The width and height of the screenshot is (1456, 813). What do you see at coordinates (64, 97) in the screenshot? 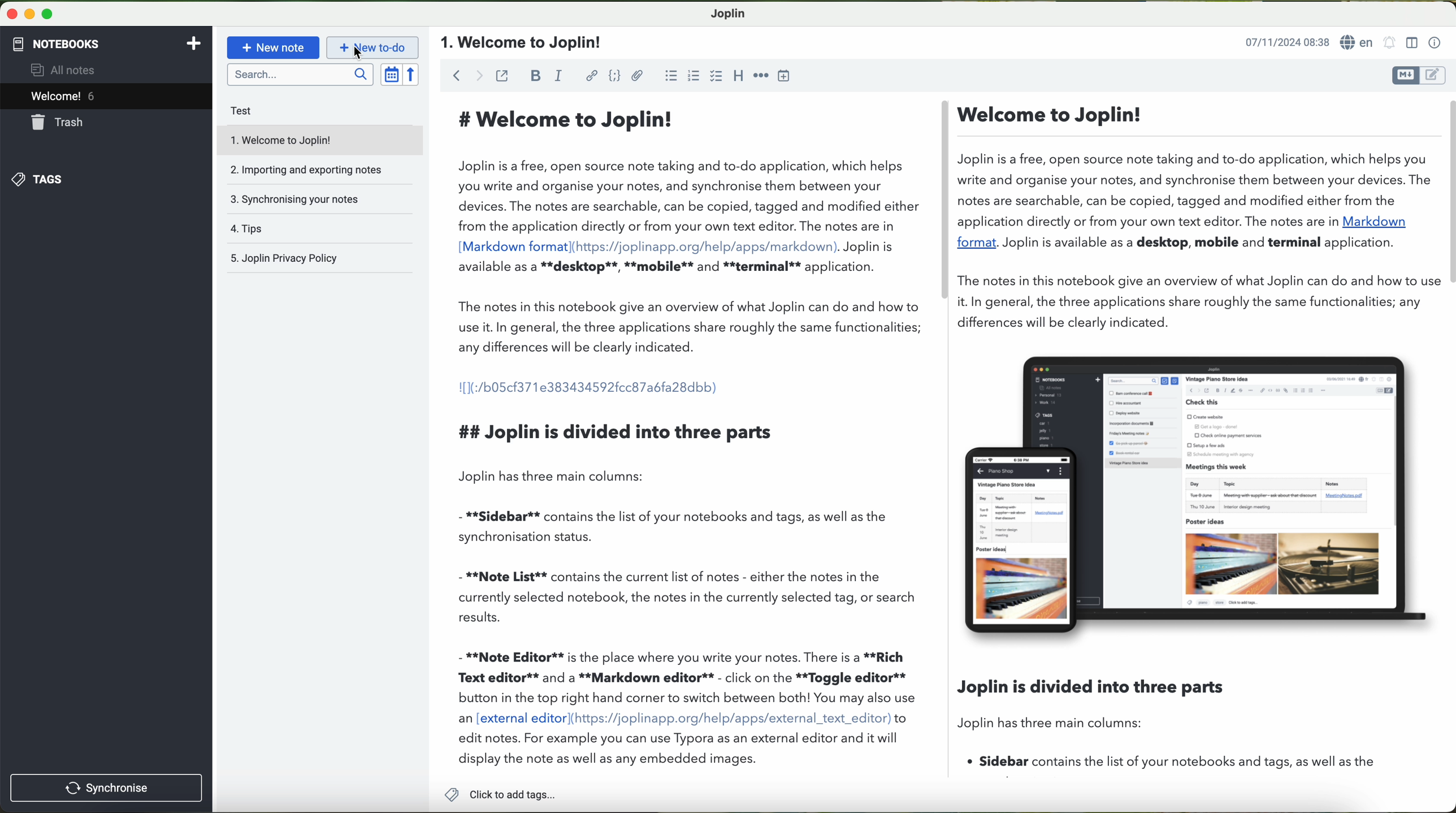
I see `welcome 6` at bounding box center [64, 97].